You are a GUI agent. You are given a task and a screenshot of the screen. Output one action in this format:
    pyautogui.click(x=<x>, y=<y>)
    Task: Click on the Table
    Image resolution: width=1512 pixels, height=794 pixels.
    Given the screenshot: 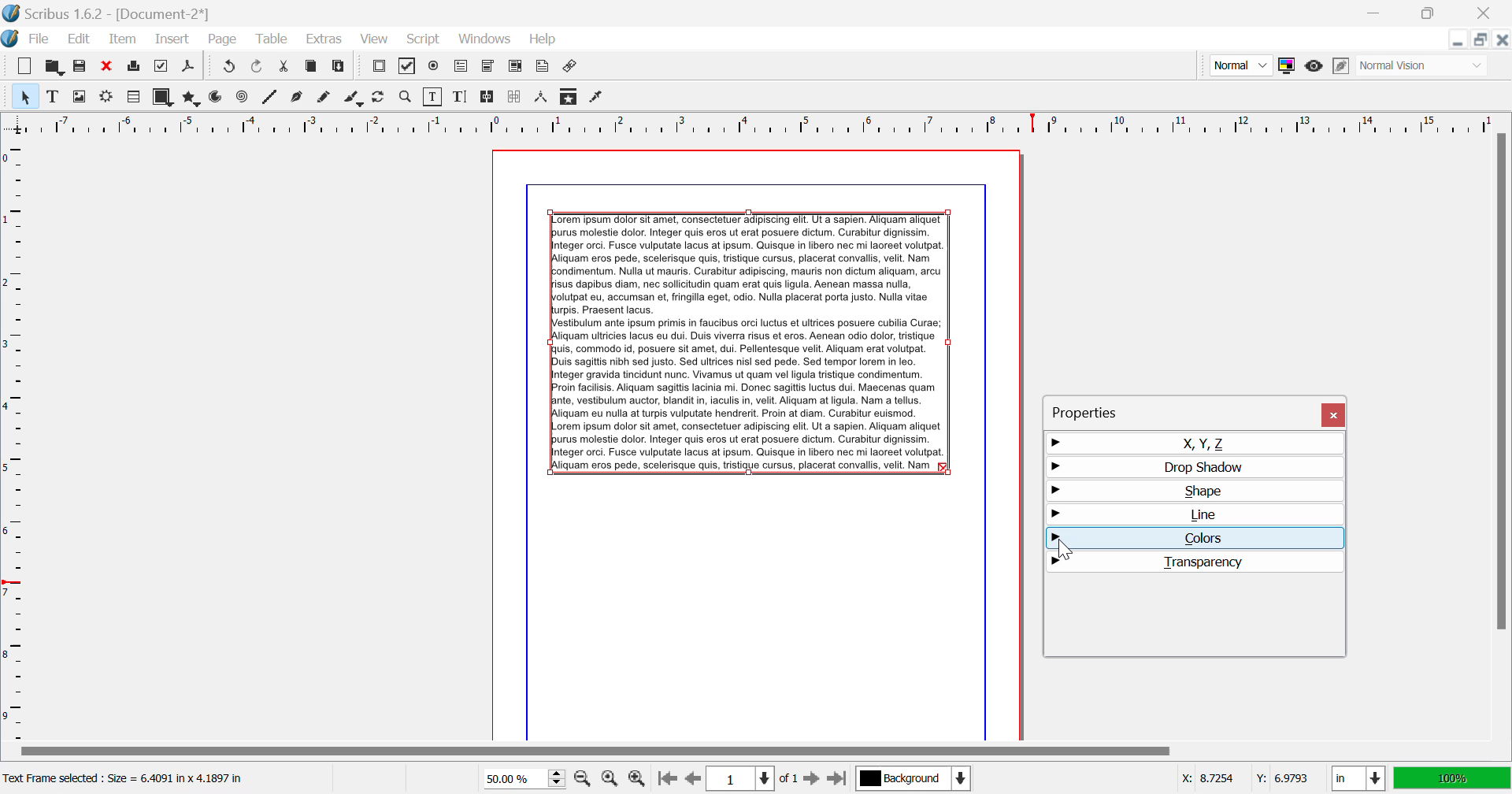 What is the action you would take?
    pyautogui.click(x=273, y=40)
    